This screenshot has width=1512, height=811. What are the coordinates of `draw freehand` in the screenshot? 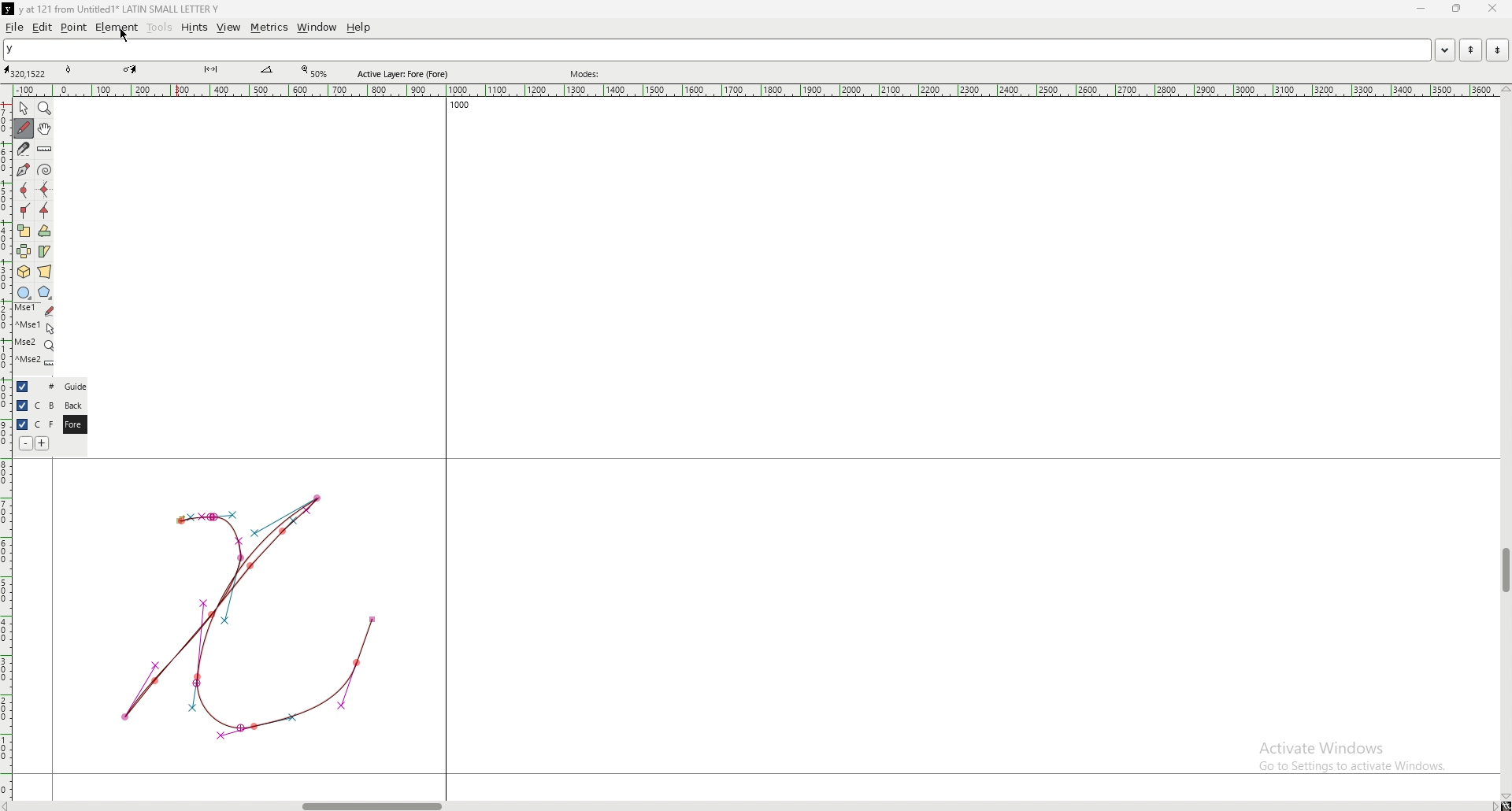 It's located at (24, 128).